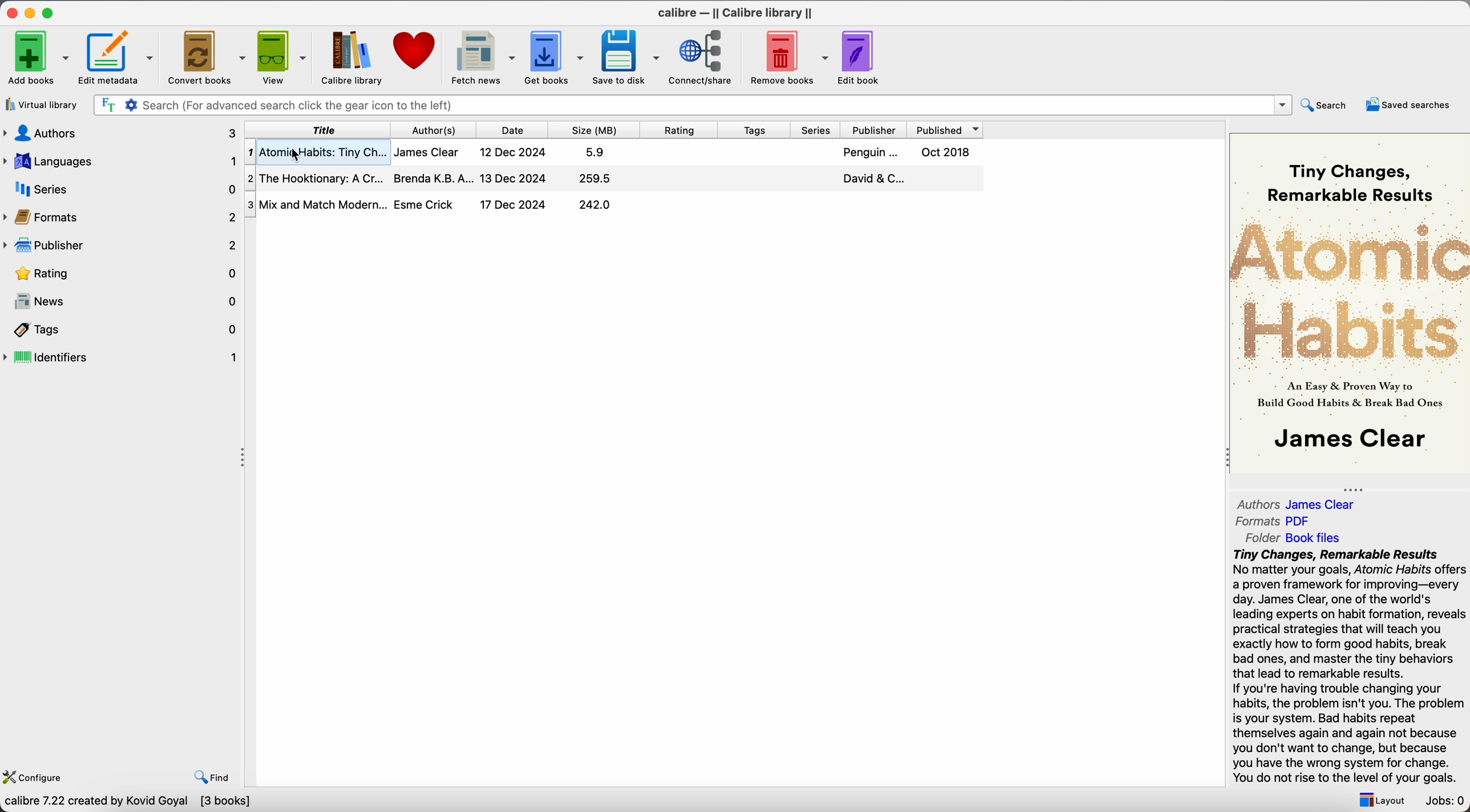 This screenshot has width=1470, height=812. Describe the element at coordinates (1410, 106) in the screenshot. I see `saved searches` at that location.